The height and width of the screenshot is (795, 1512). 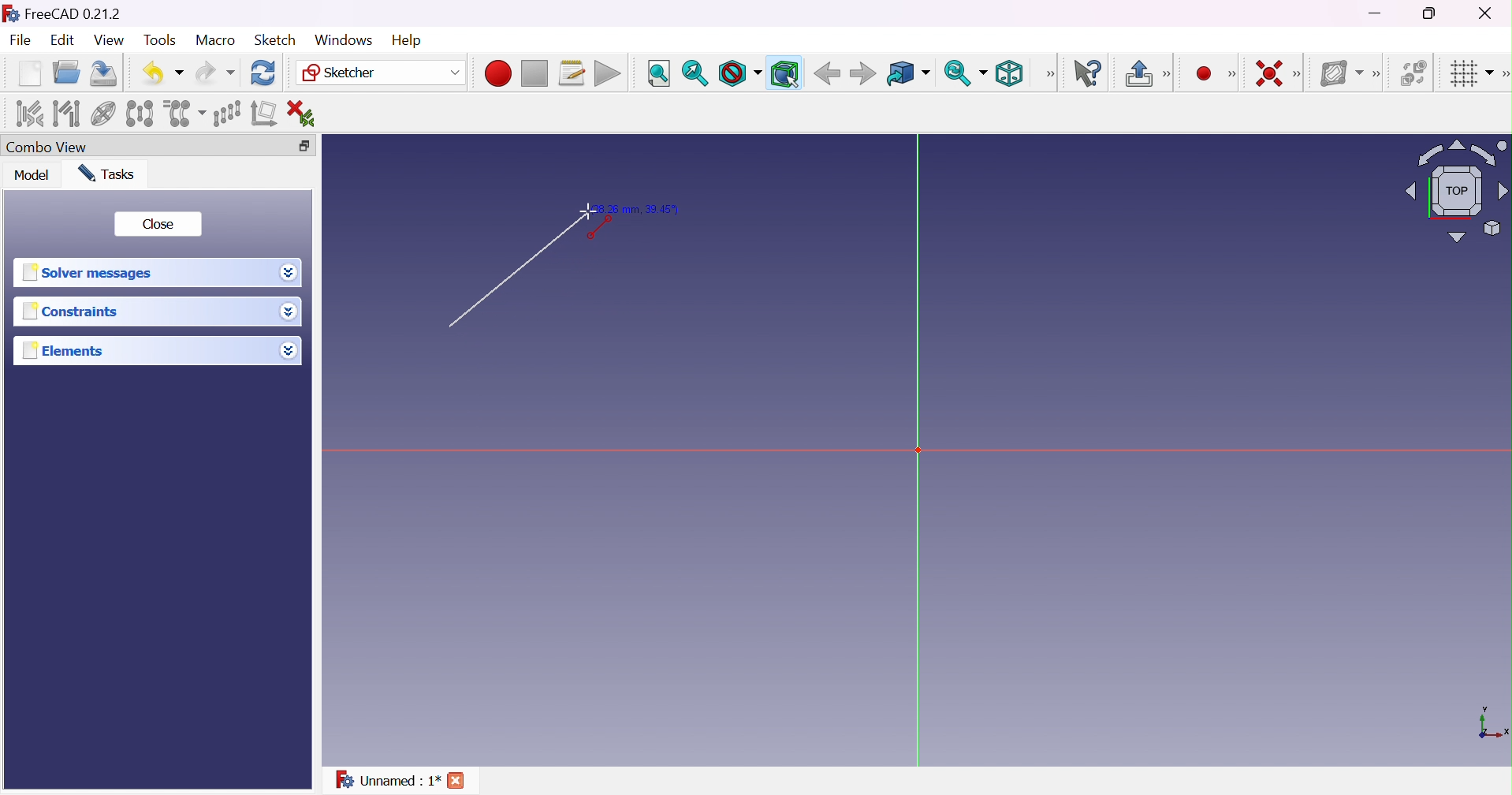 I want to click on Elements, so click(x=72, y=351).